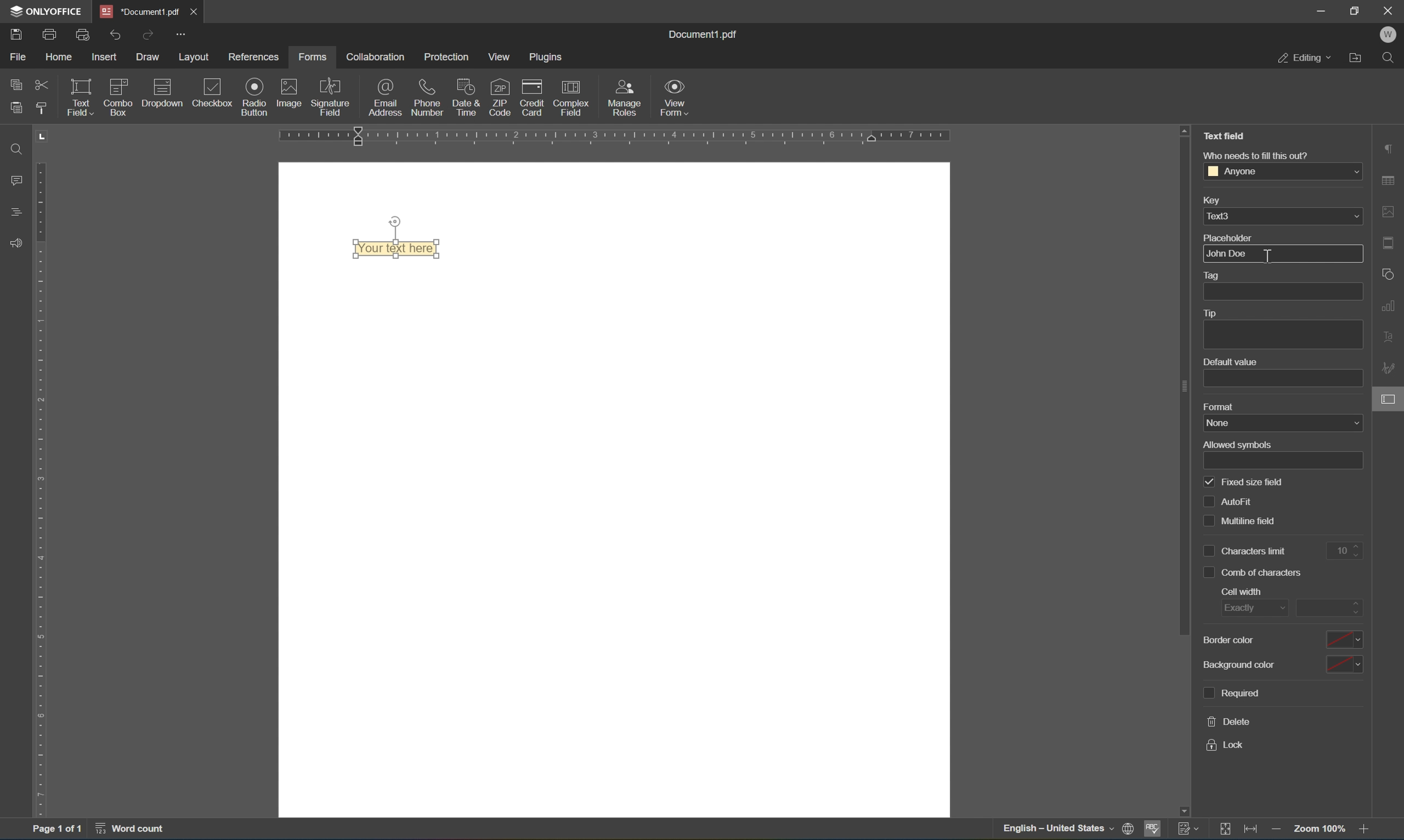  I want to click on key, so click(1219, 200).